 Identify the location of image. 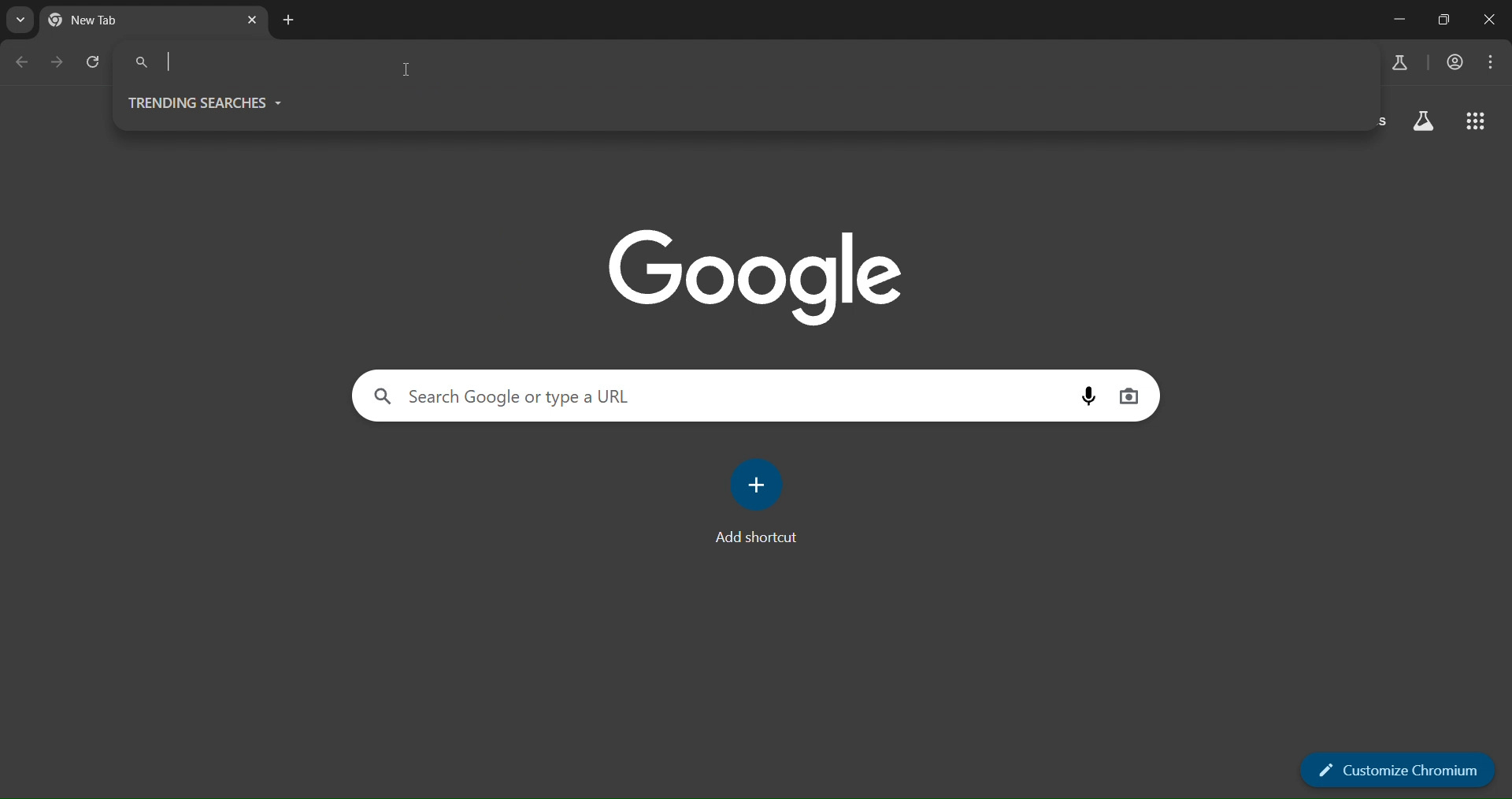
(762, 277).